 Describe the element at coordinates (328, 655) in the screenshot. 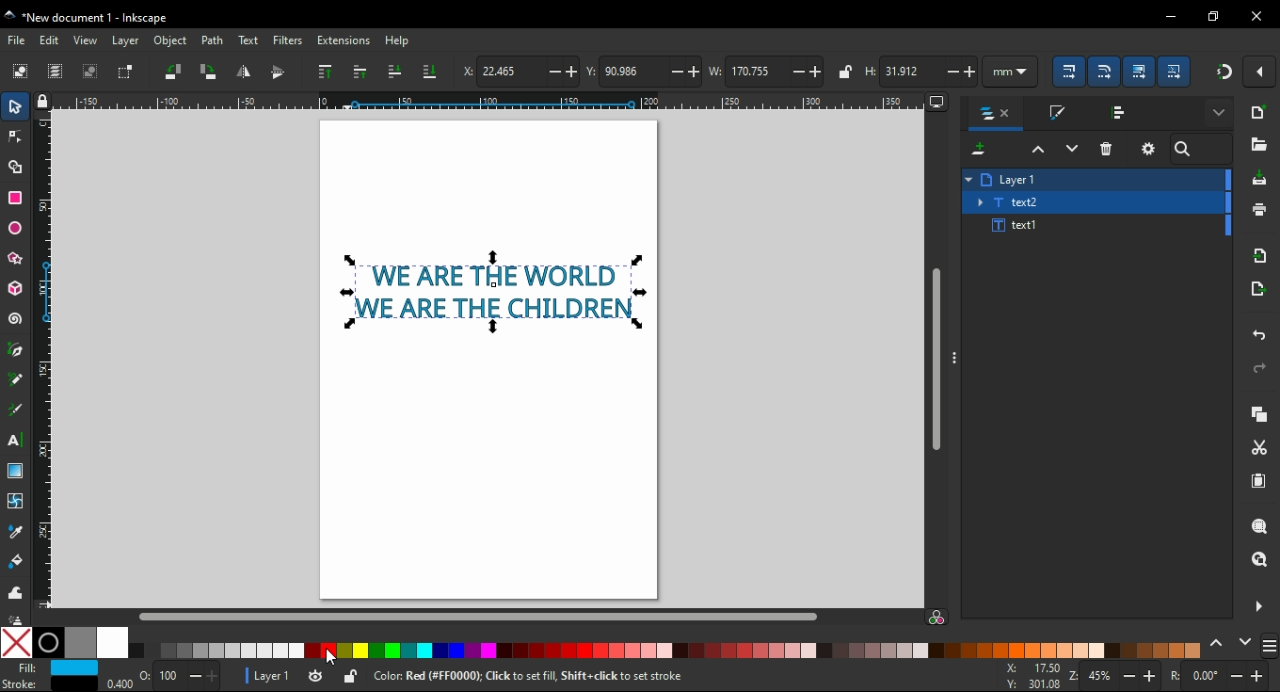

I see `mouse pointer` at that location.